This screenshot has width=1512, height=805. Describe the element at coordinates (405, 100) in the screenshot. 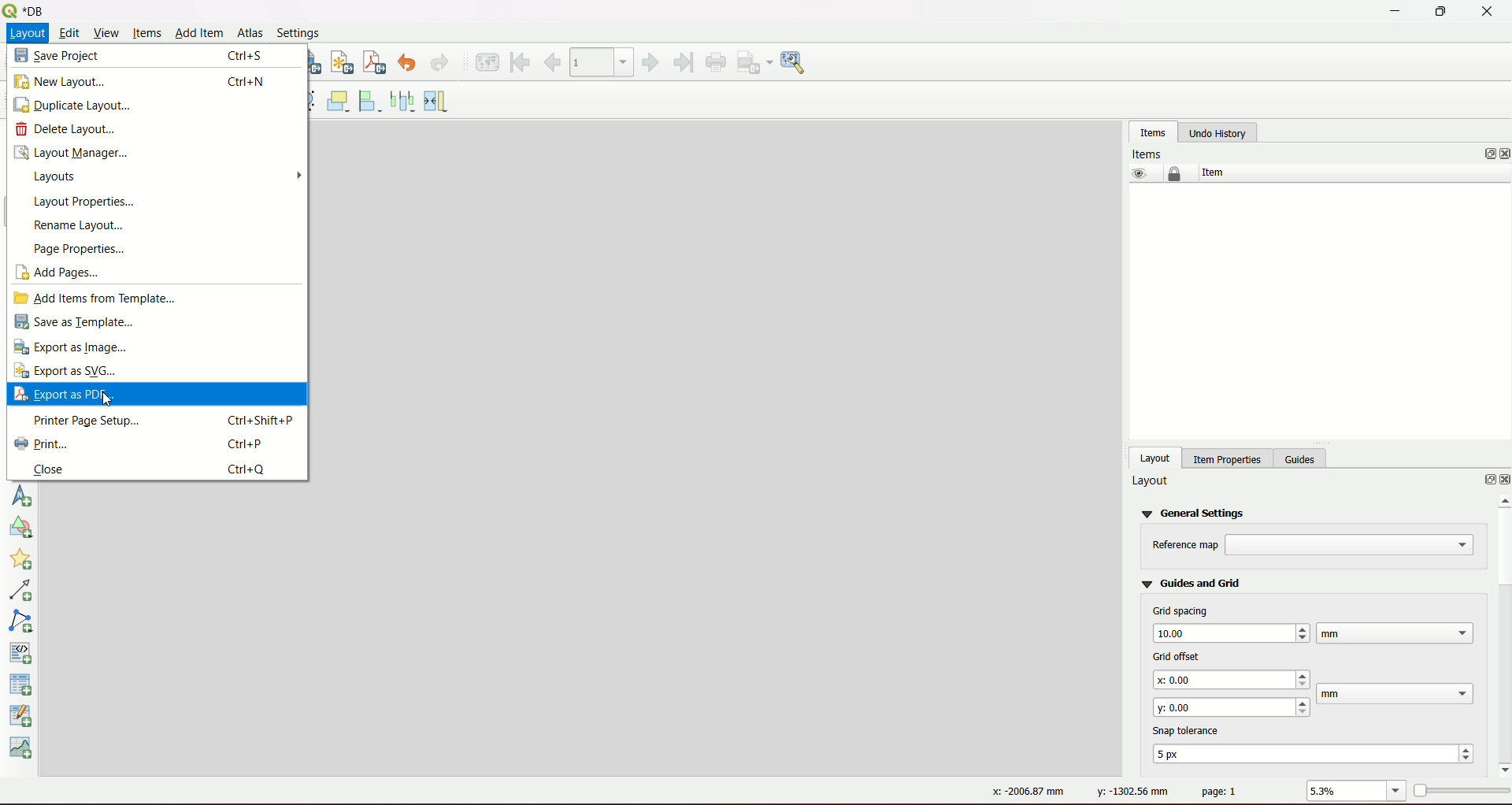

I see `distributes left edges` at that location.